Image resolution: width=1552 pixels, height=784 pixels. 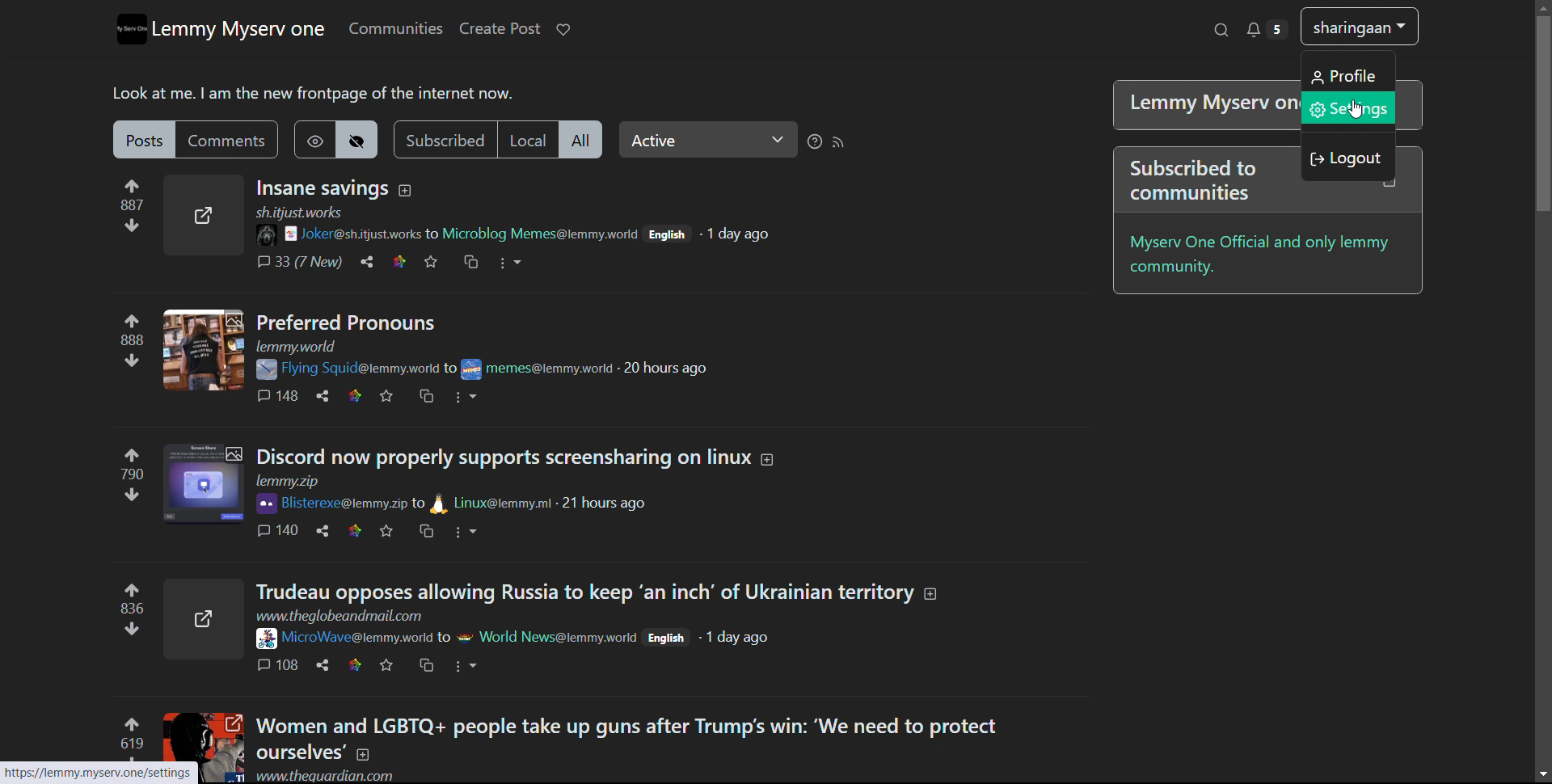 I want to click on 20 hours ago , so click(x=665, y=368).